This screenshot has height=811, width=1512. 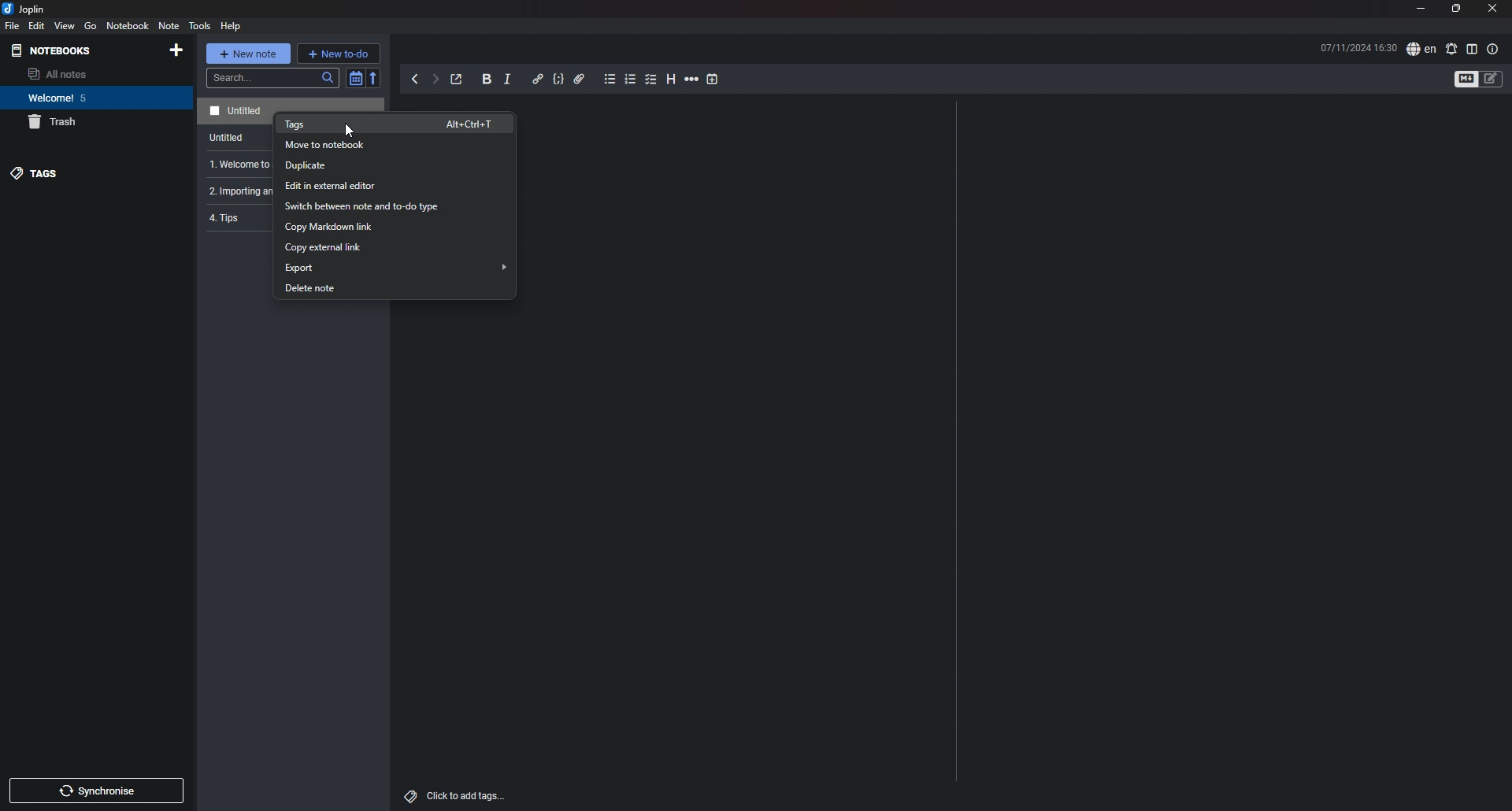 I want to click on HELP, so click(x=231, y=26).